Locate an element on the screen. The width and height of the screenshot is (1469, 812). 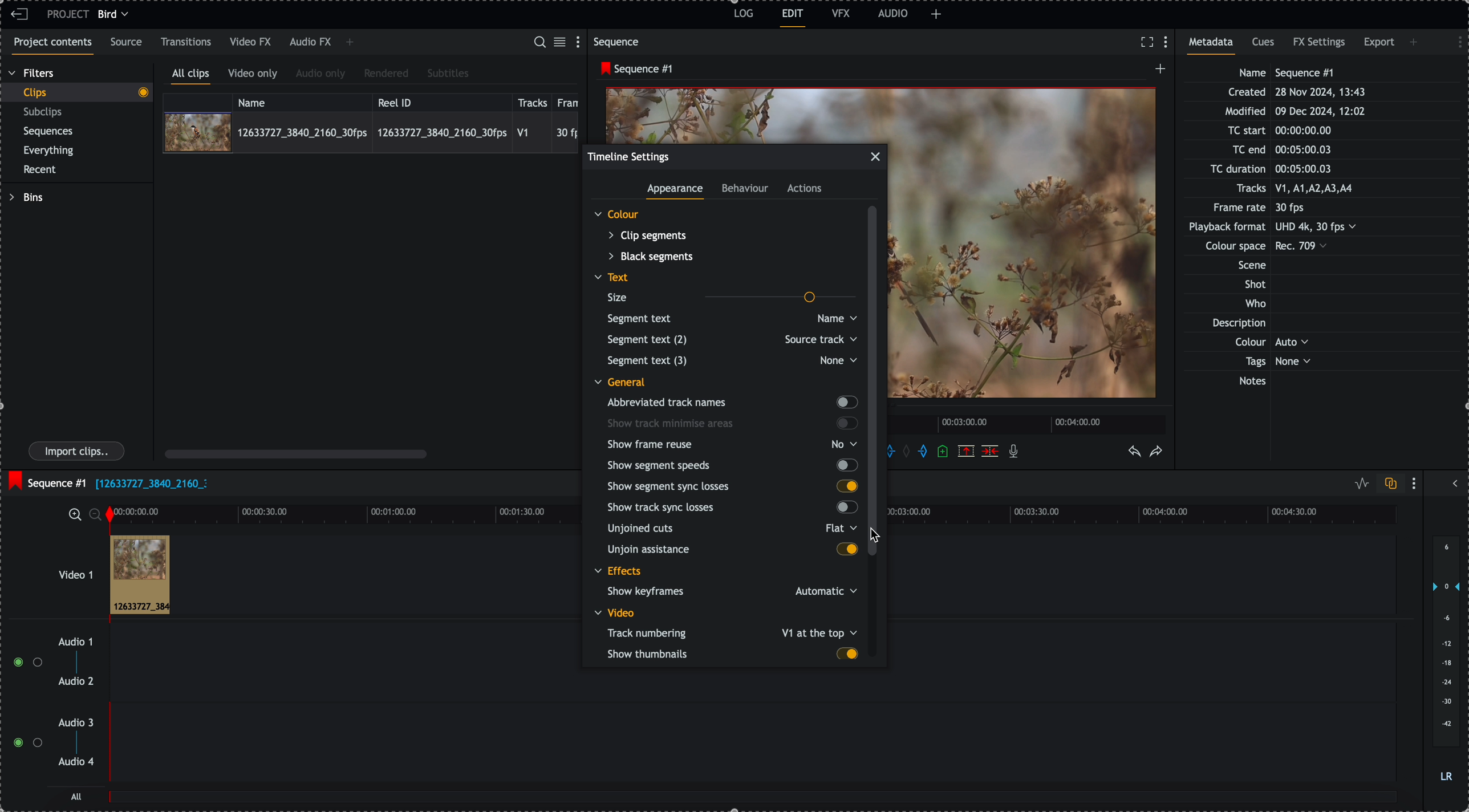
track audio is located at coordinates (752, 688).